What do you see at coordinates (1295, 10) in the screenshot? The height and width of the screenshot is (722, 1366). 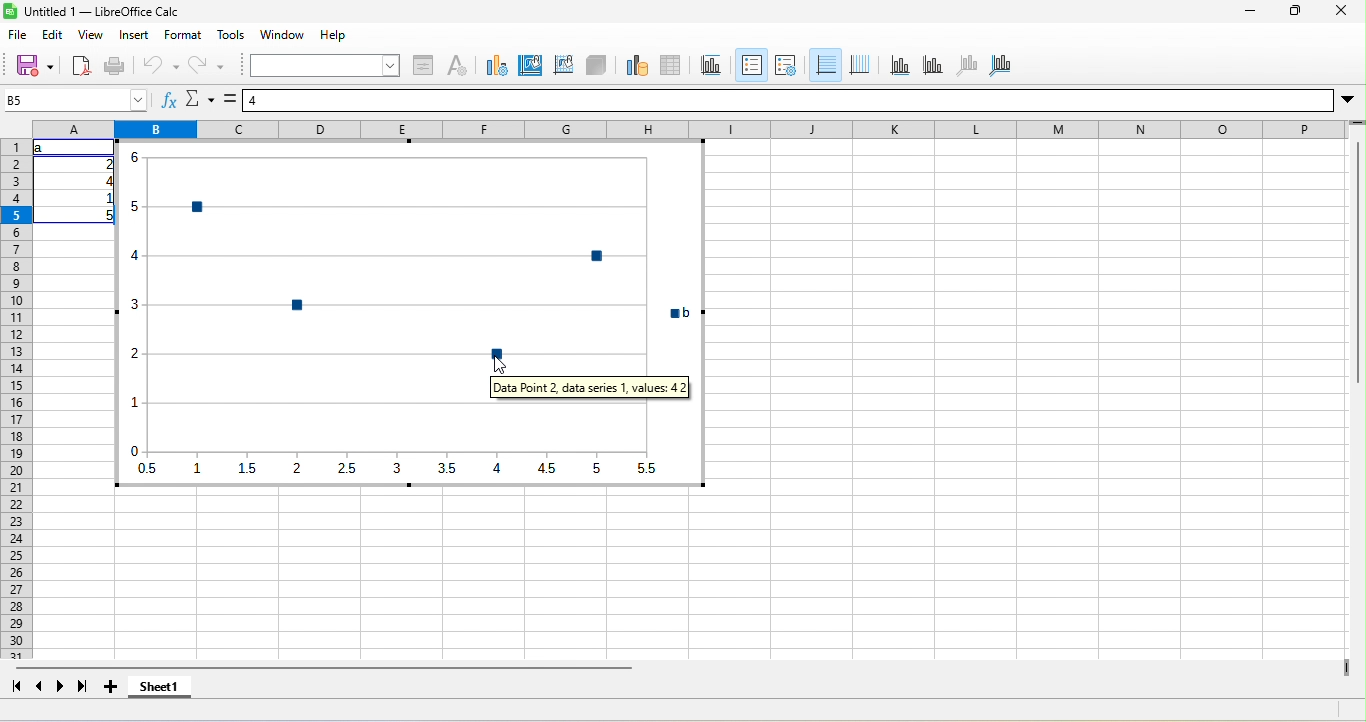 I see `maximize` at bounding box center [1295, 10].